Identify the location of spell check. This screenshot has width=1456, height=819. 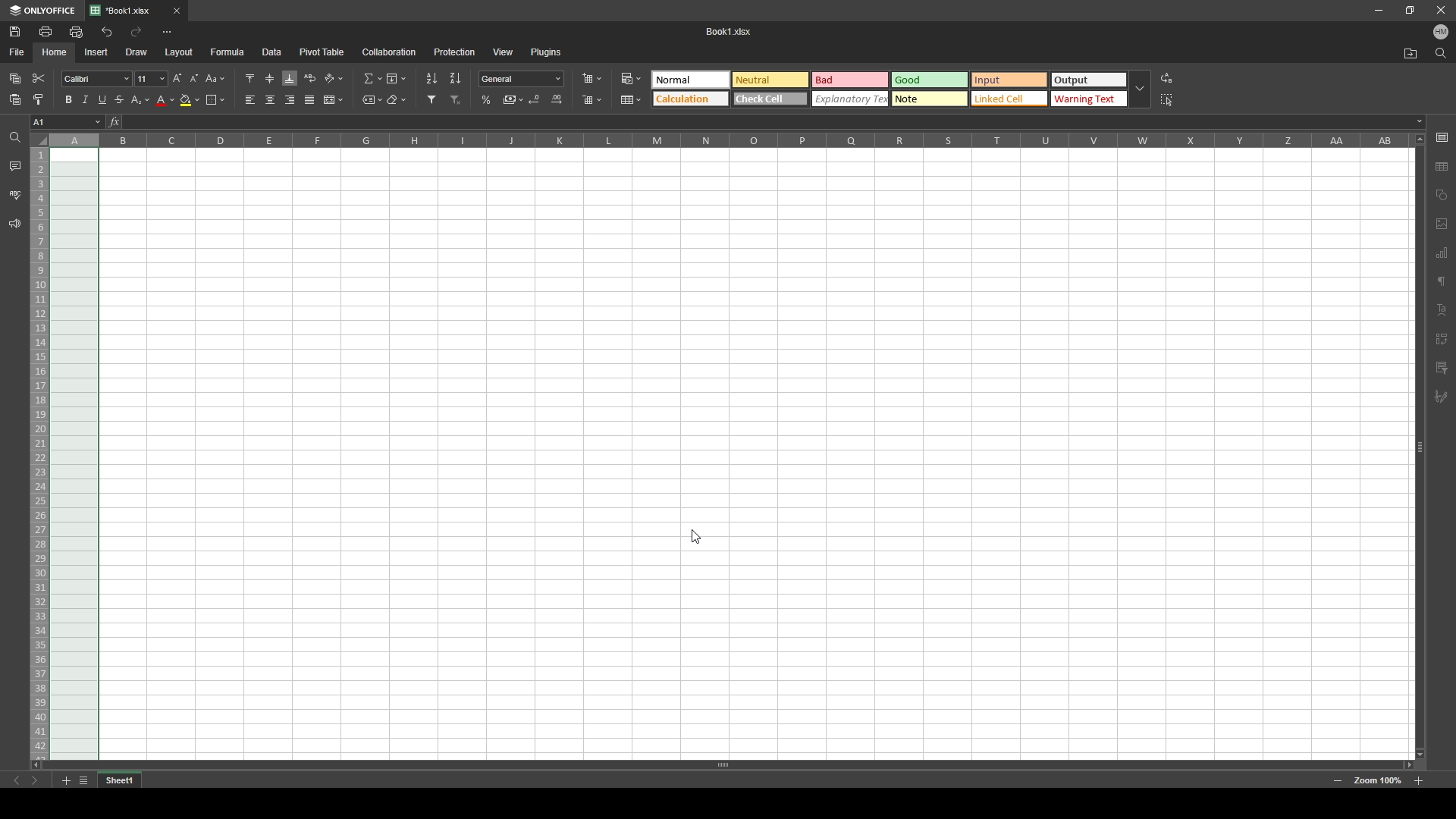
(16, 195).